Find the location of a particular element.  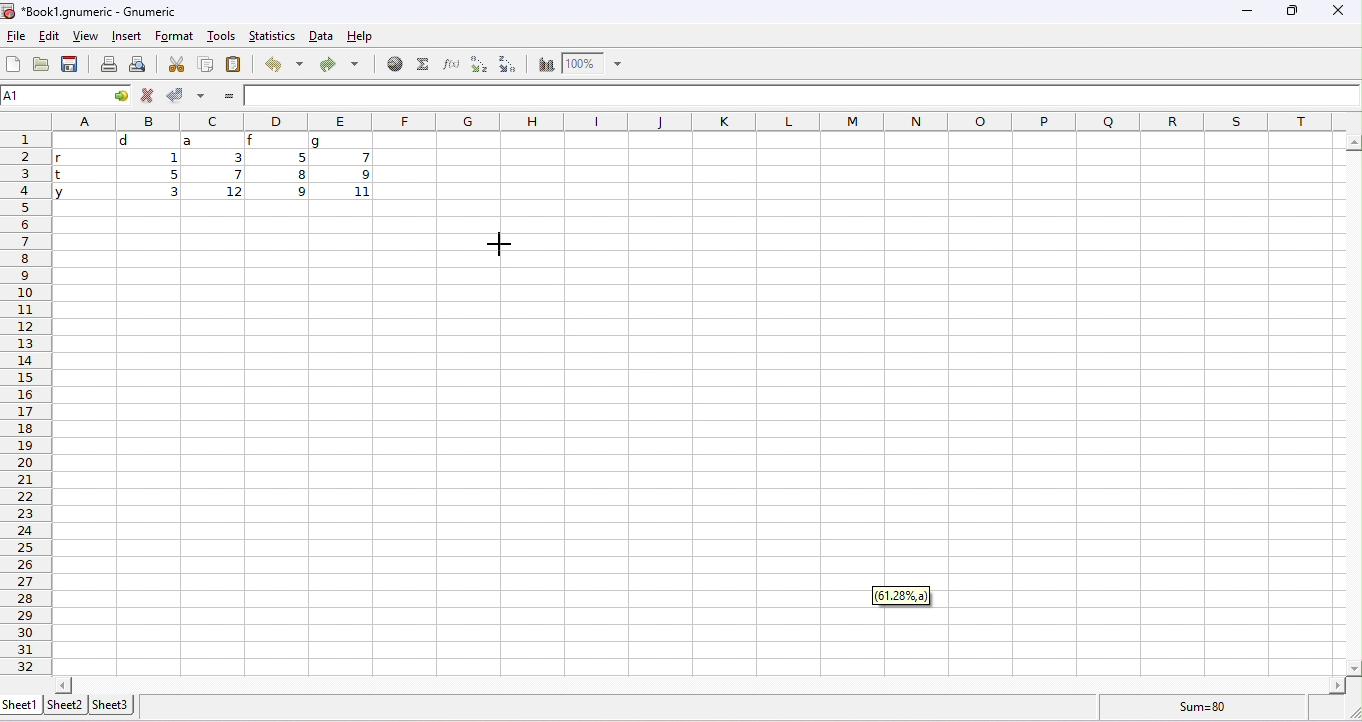

formula bar is located at coordinates (803, 95).